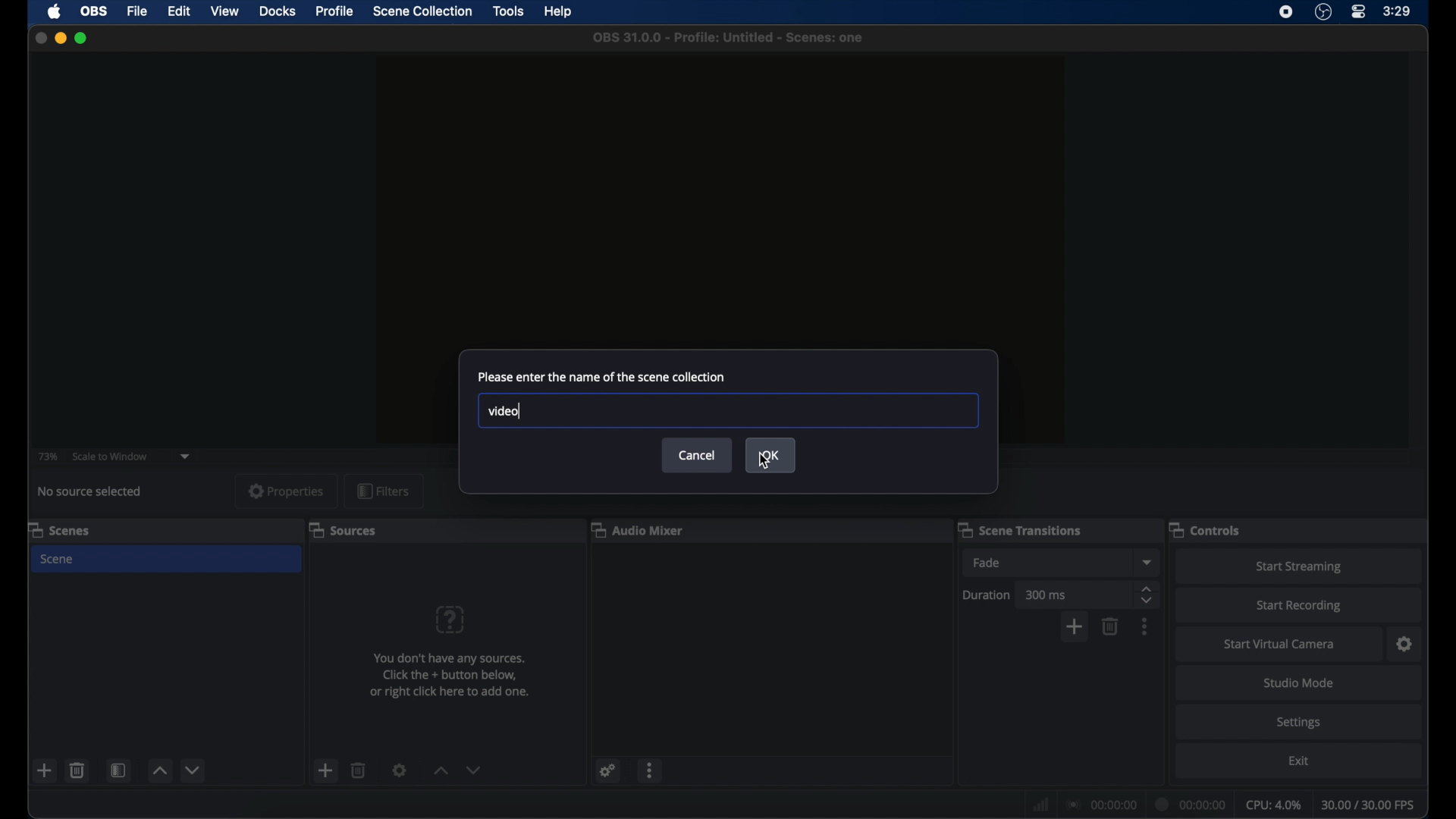 The width and height of the screenshot is (1456, 819). I want to click on add, so click(325, 770).